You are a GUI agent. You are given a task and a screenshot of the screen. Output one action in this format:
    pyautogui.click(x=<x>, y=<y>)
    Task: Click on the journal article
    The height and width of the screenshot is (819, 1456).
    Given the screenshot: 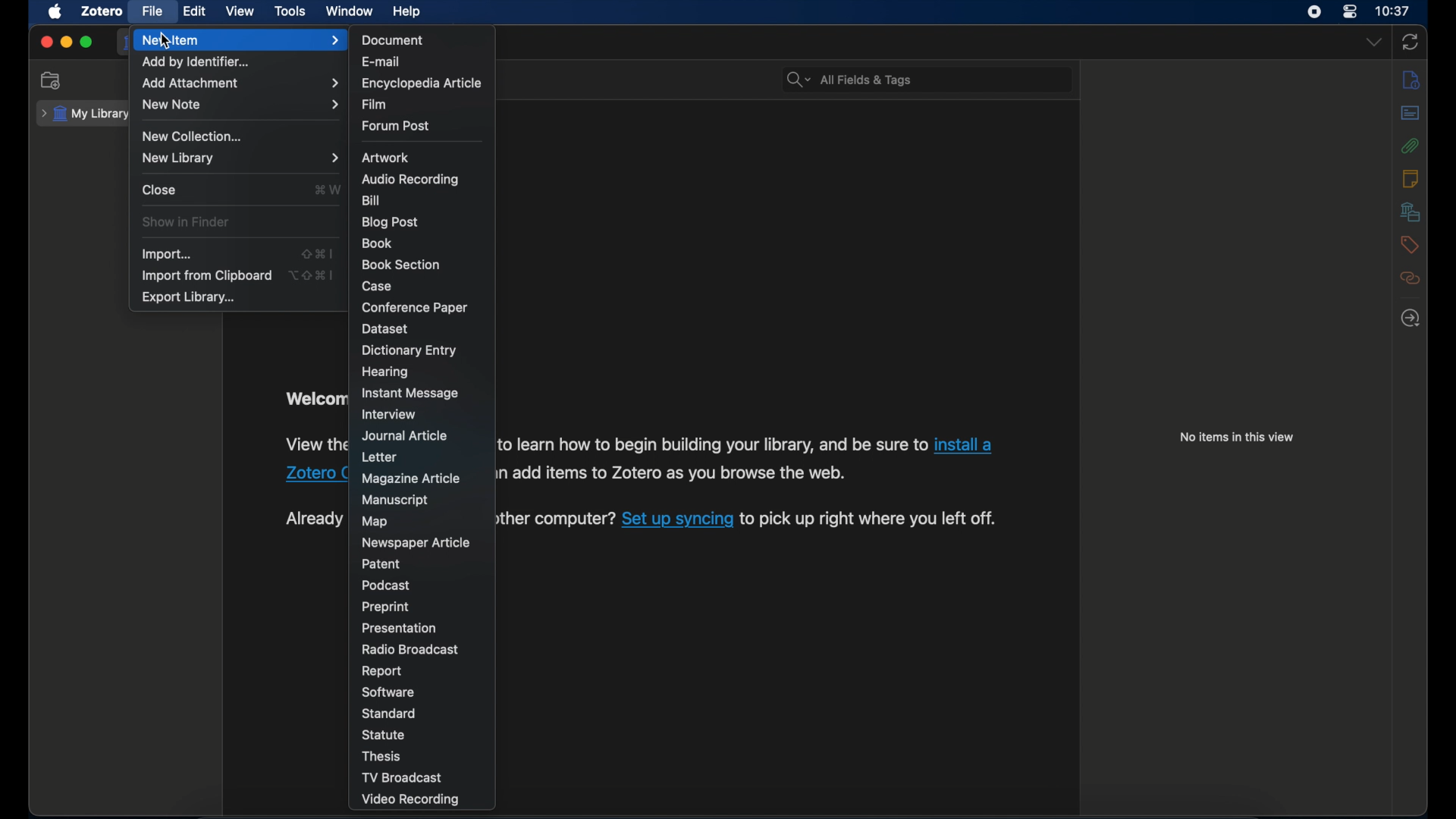 What is the action you would take?
    pyautogui.click(x=404, y=435)
    